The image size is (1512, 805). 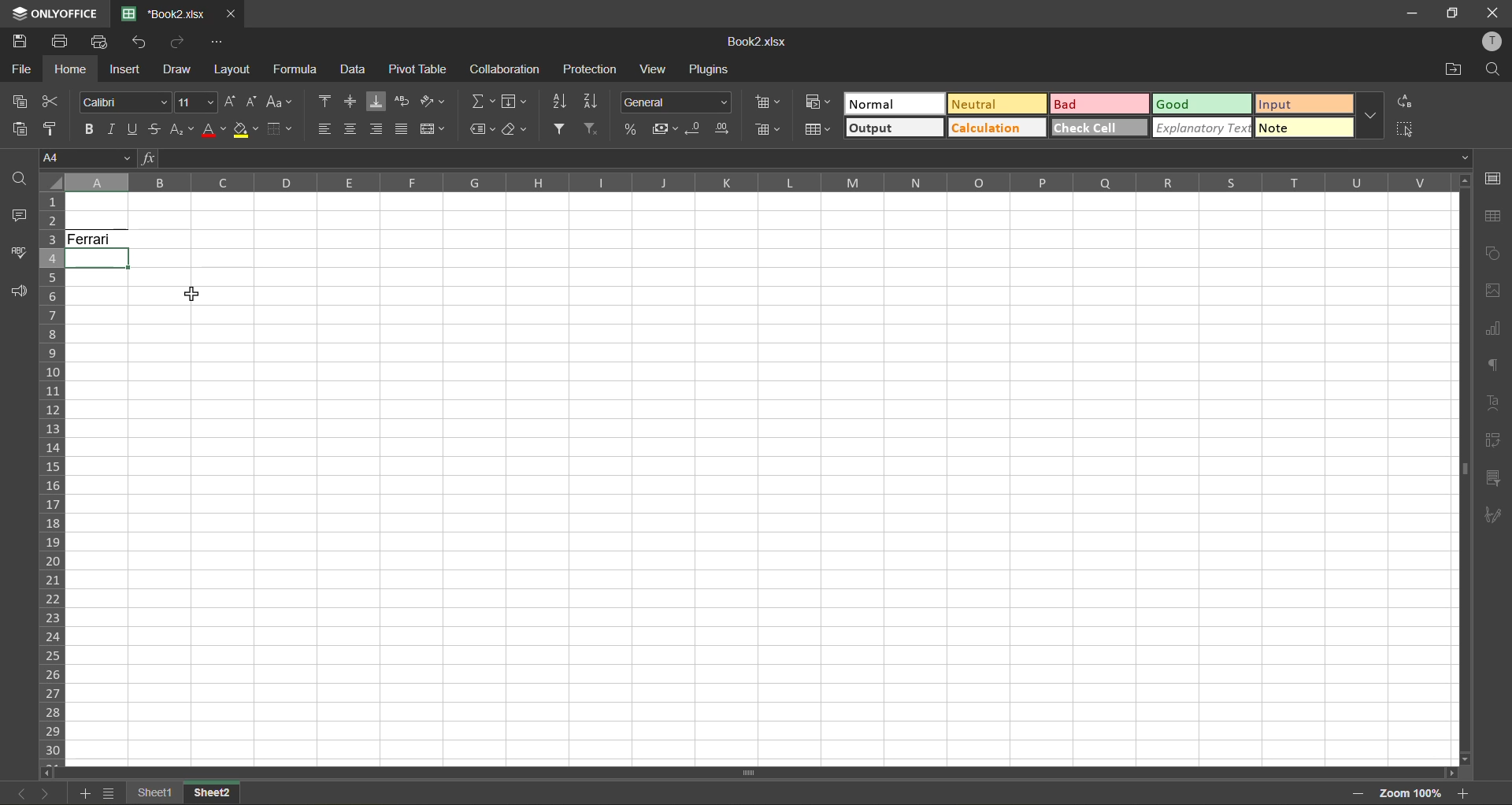 I want to click on font color, so click(x=213, y=128).